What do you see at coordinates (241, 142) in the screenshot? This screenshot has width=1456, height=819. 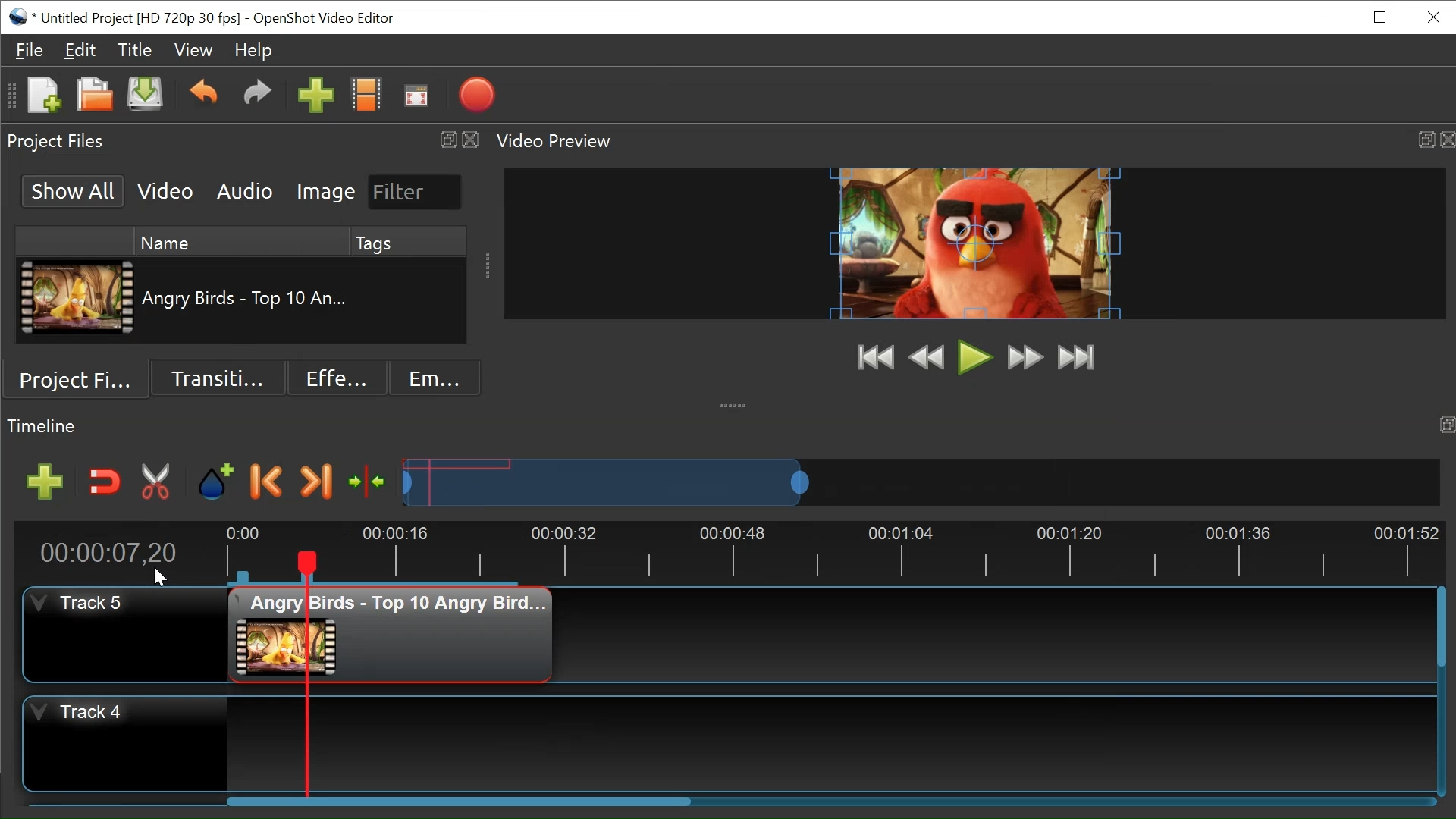 I see `Project Files` at bounding box center [241, 142].